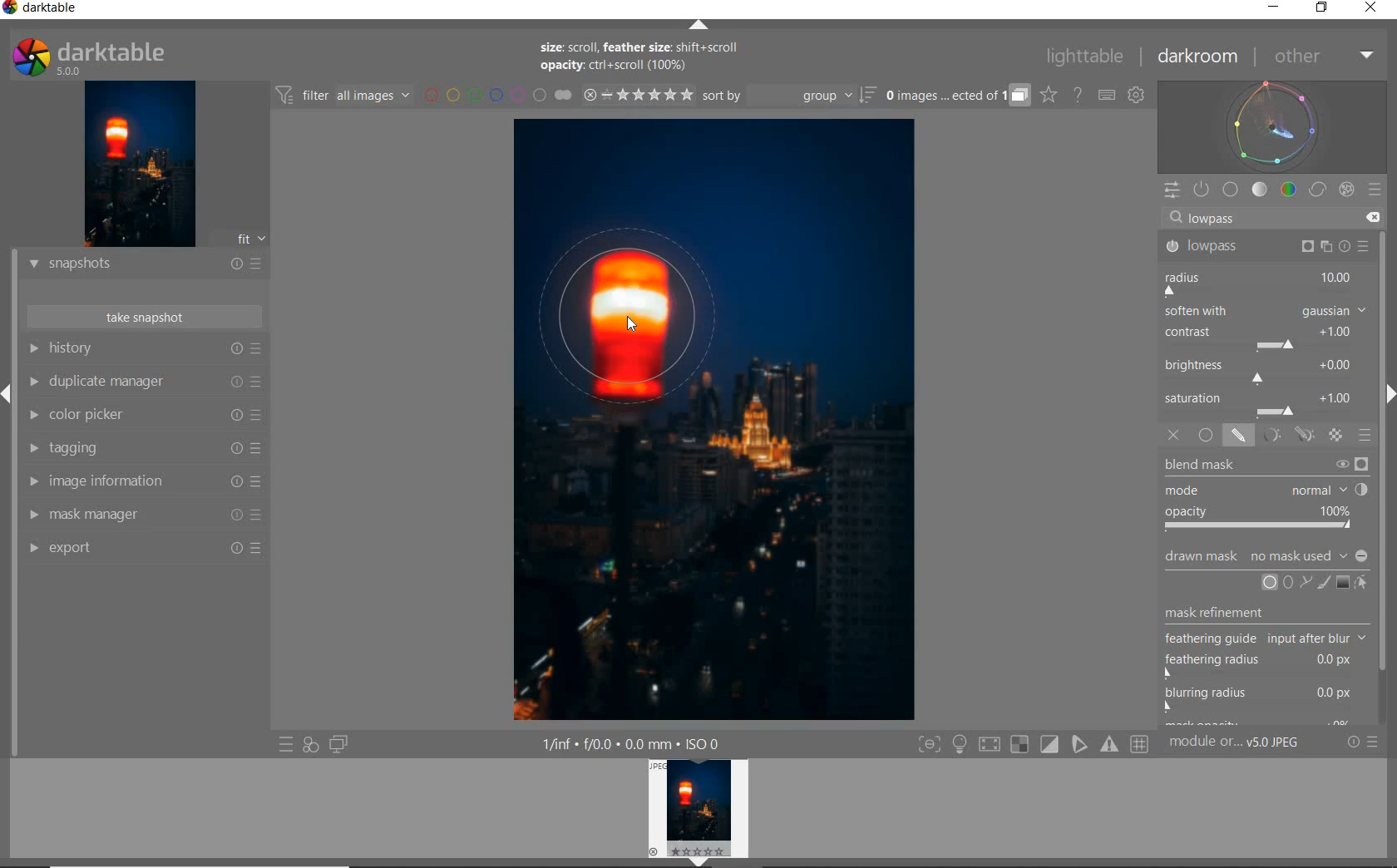 Image resolution: width=1397 pixels, height=868 pixels. I want to click on CLICK TO CHANGE THE OVERLAYS SHOWN ON THUMBNAILS, so click(1048, 96).